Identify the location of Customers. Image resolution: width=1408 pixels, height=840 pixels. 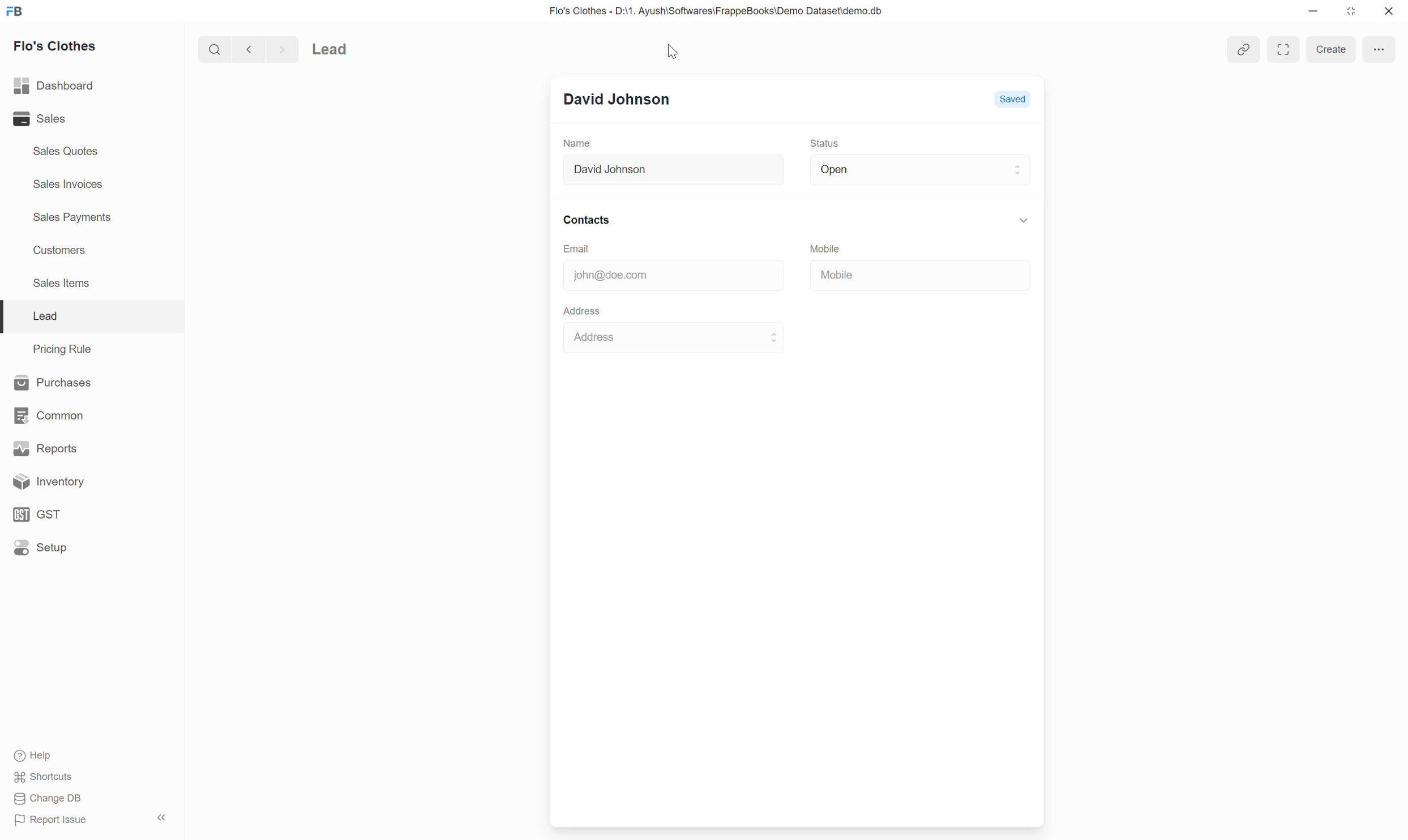
(66, 251).